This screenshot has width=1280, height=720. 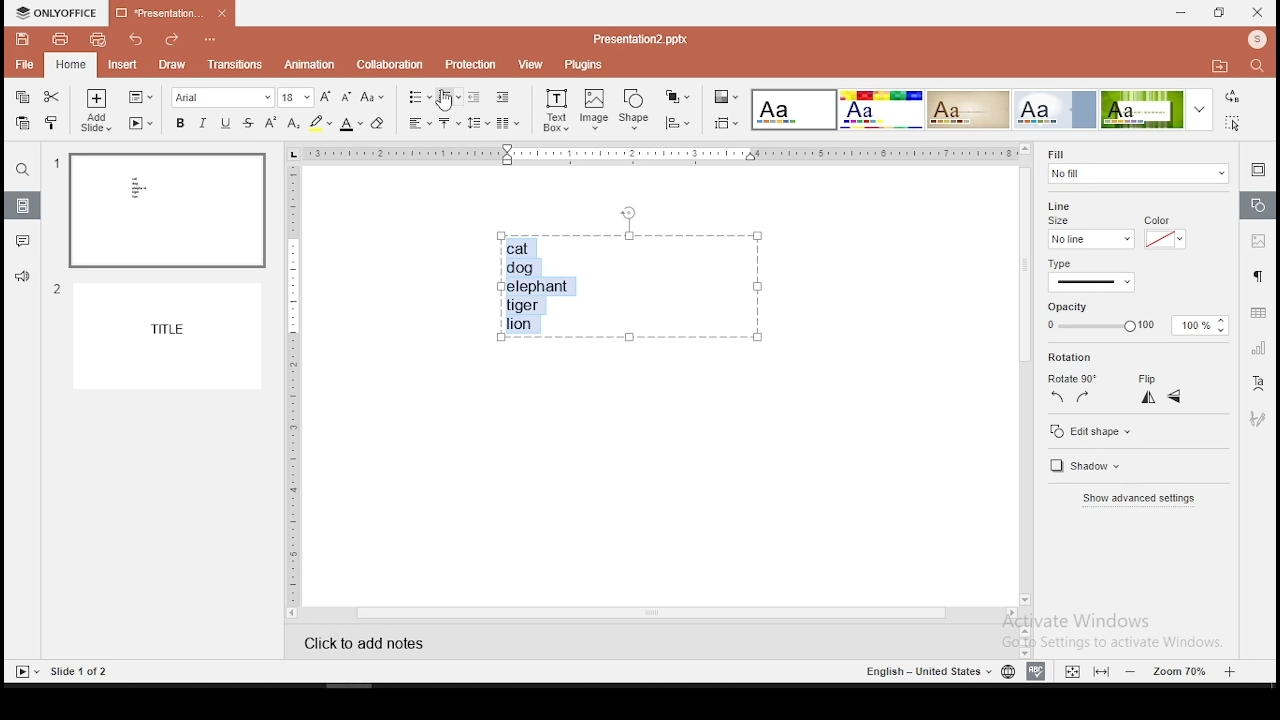 What do you see at coordinates (60, 39) in the screenshot?
I see `print file` at bounding box center [60, 39].